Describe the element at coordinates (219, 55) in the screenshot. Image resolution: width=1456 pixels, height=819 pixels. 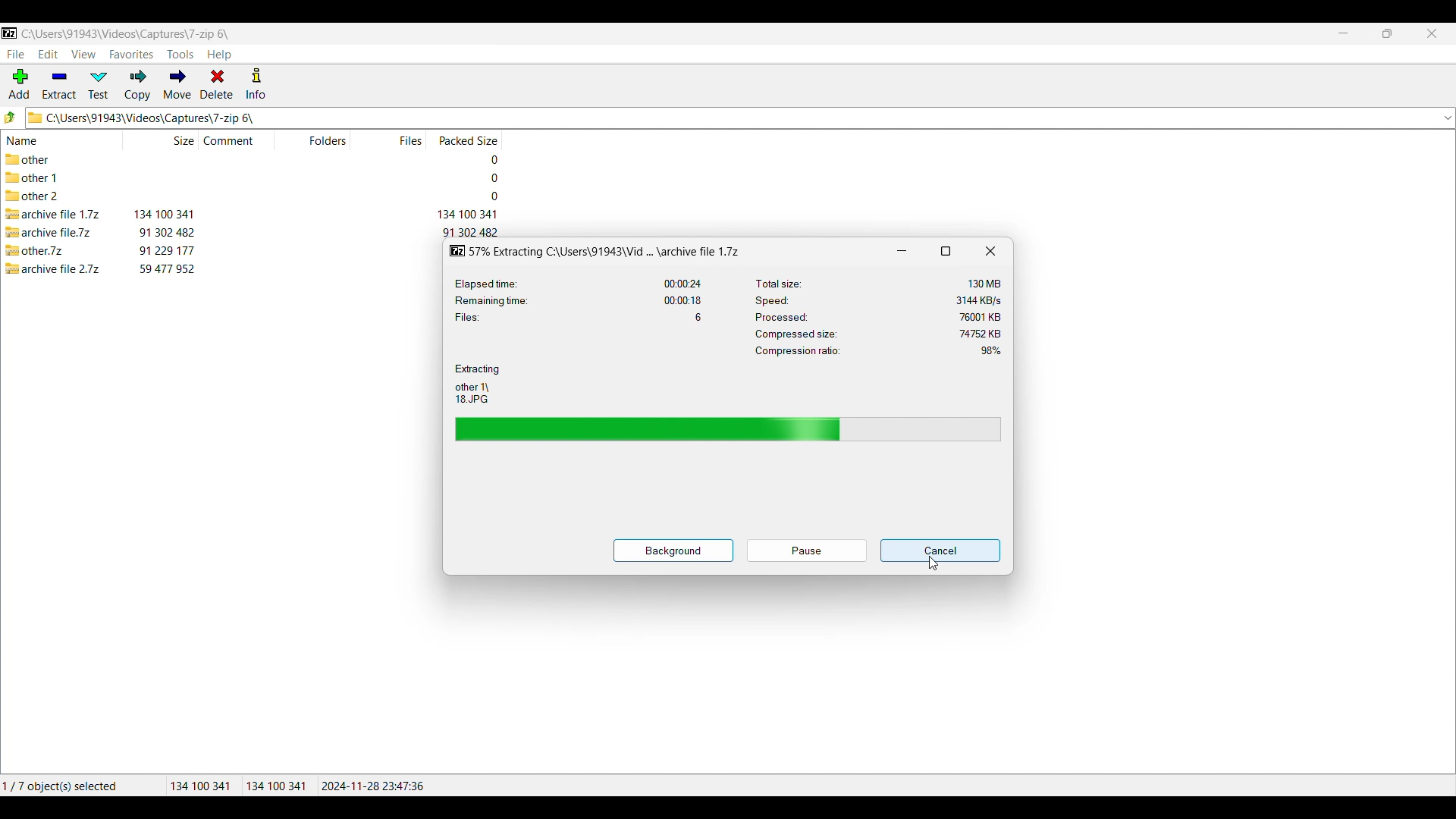
I see `Help menu` at that location.